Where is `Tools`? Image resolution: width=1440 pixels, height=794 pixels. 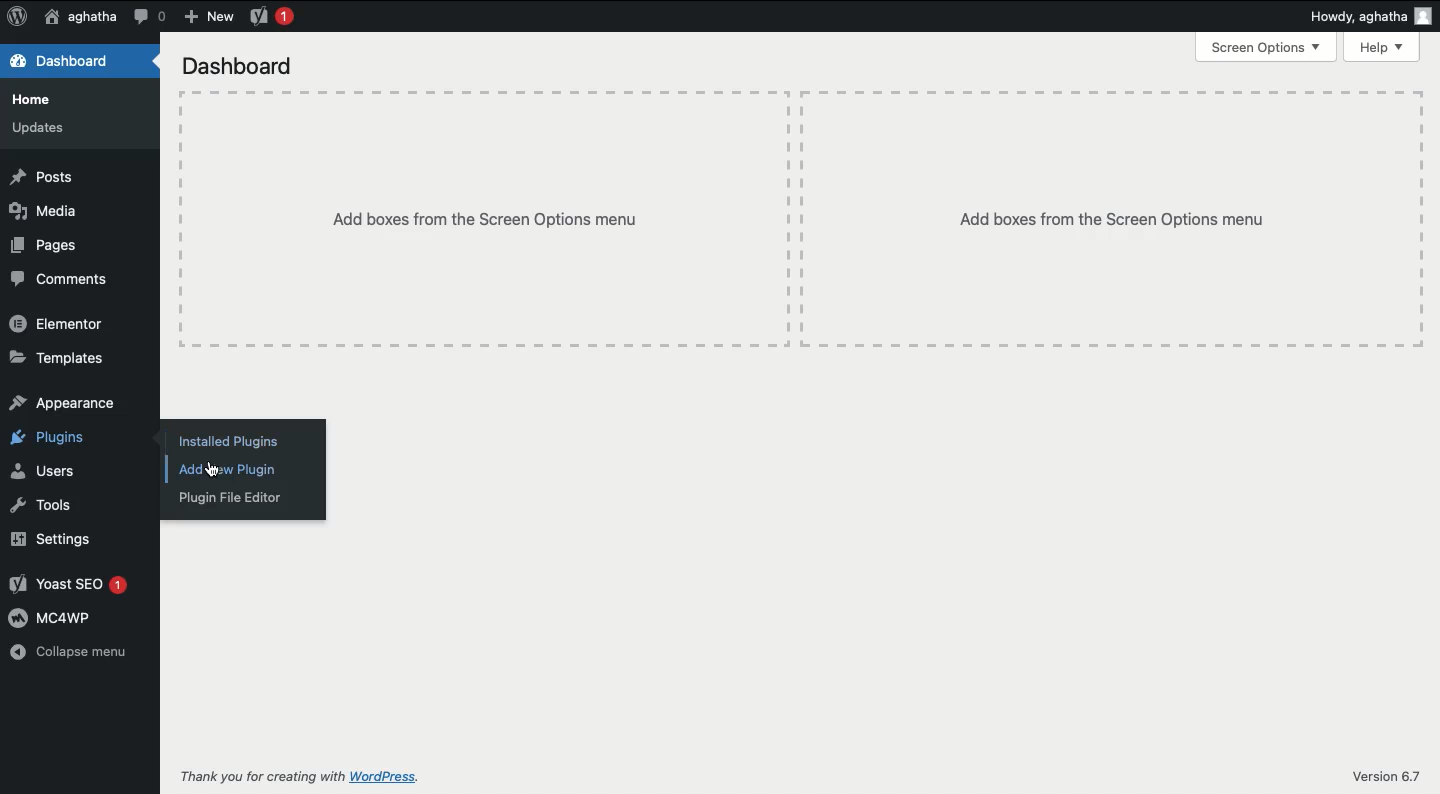 Tools is located at coordinates (44, 506).